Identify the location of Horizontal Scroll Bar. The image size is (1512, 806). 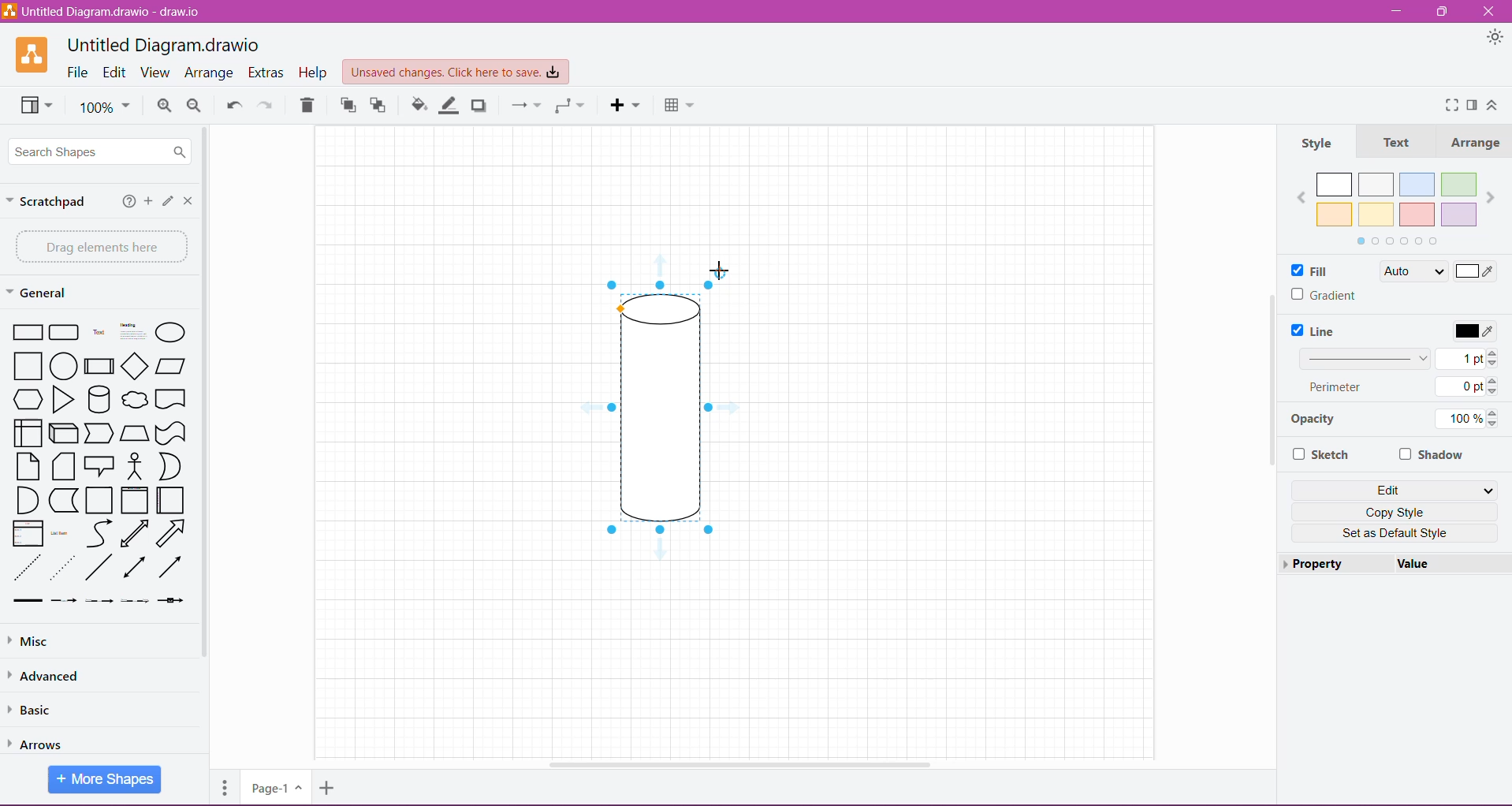
(744, 765).